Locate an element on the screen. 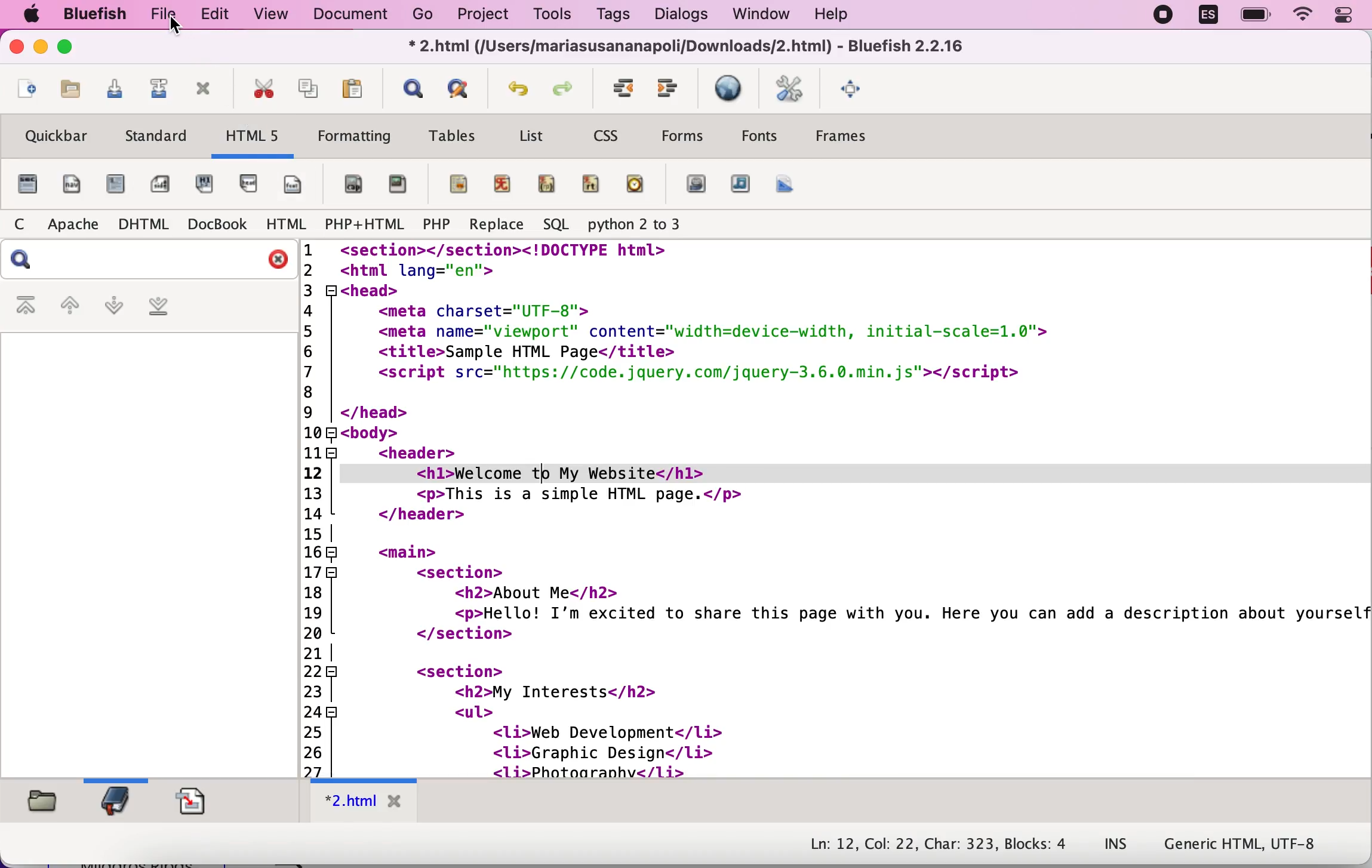  ruby mark is located at coordinates (453, 186).